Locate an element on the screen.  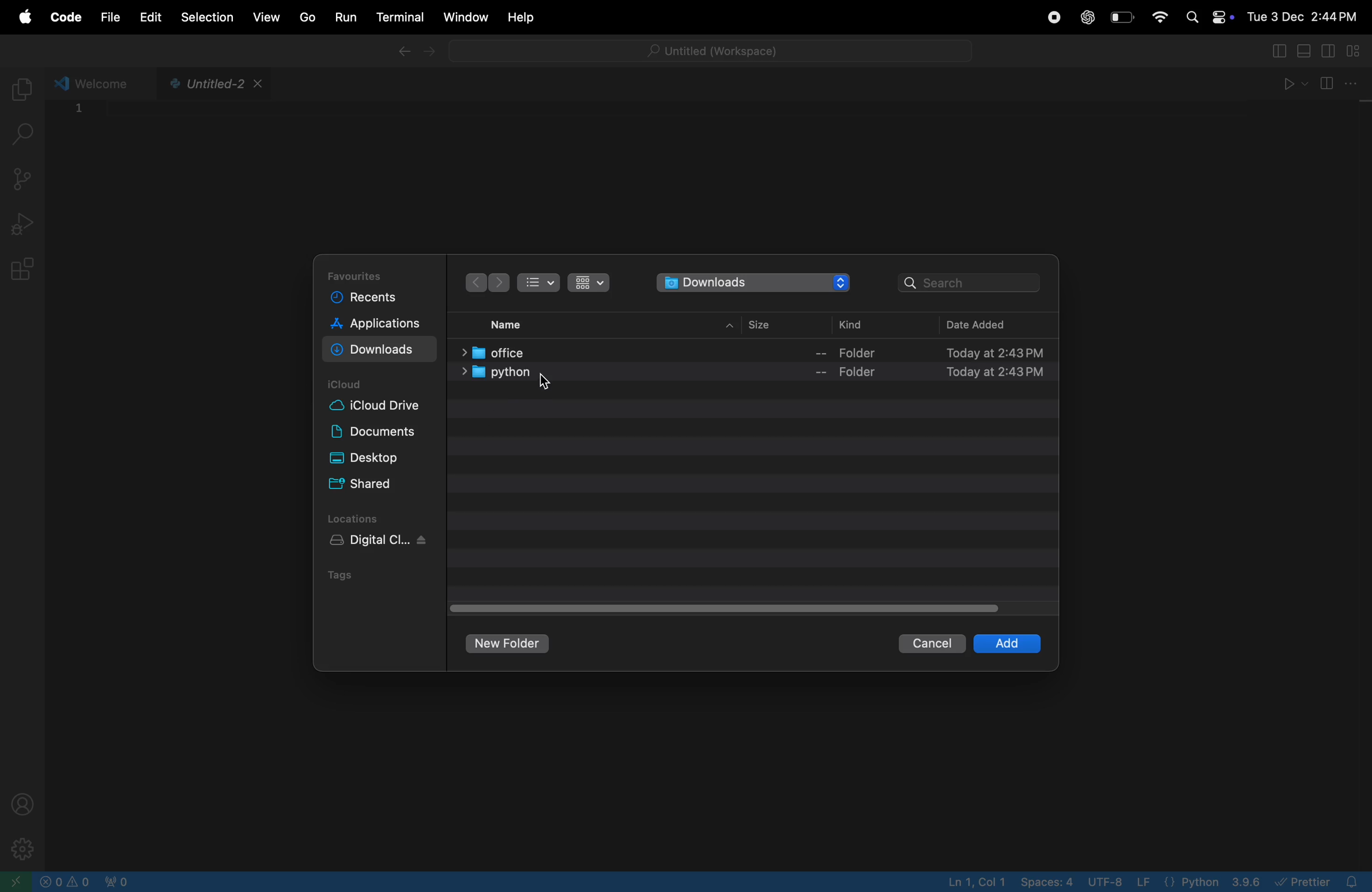
forward is located at coordinates (439, 53).